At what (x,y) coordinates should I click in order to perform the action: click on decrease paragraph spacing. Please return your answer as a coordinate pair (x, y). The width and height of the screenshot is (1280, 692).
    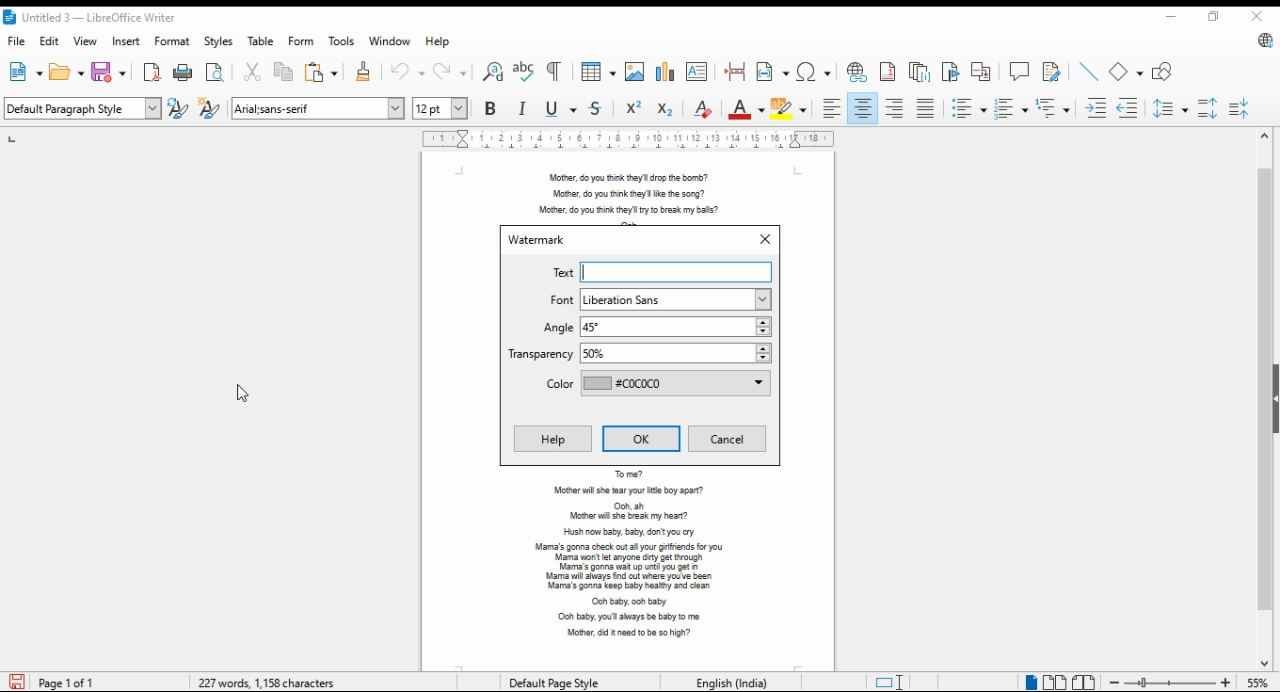
    Looking at the image, I should click on (1244, 108).